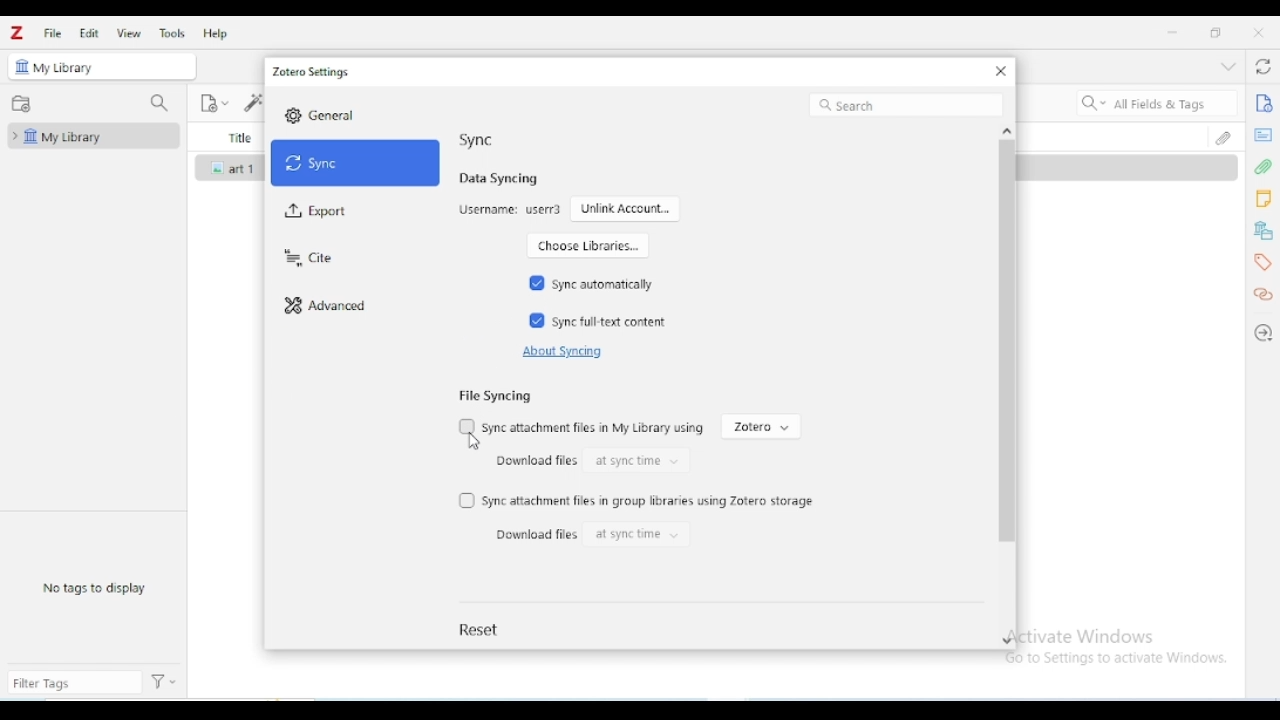 The height and width of the screenshot is (720, 1280). What do you see at coordinates (481, 629) in the screenshot?
I see `reset` at bounding box center [481, 629].